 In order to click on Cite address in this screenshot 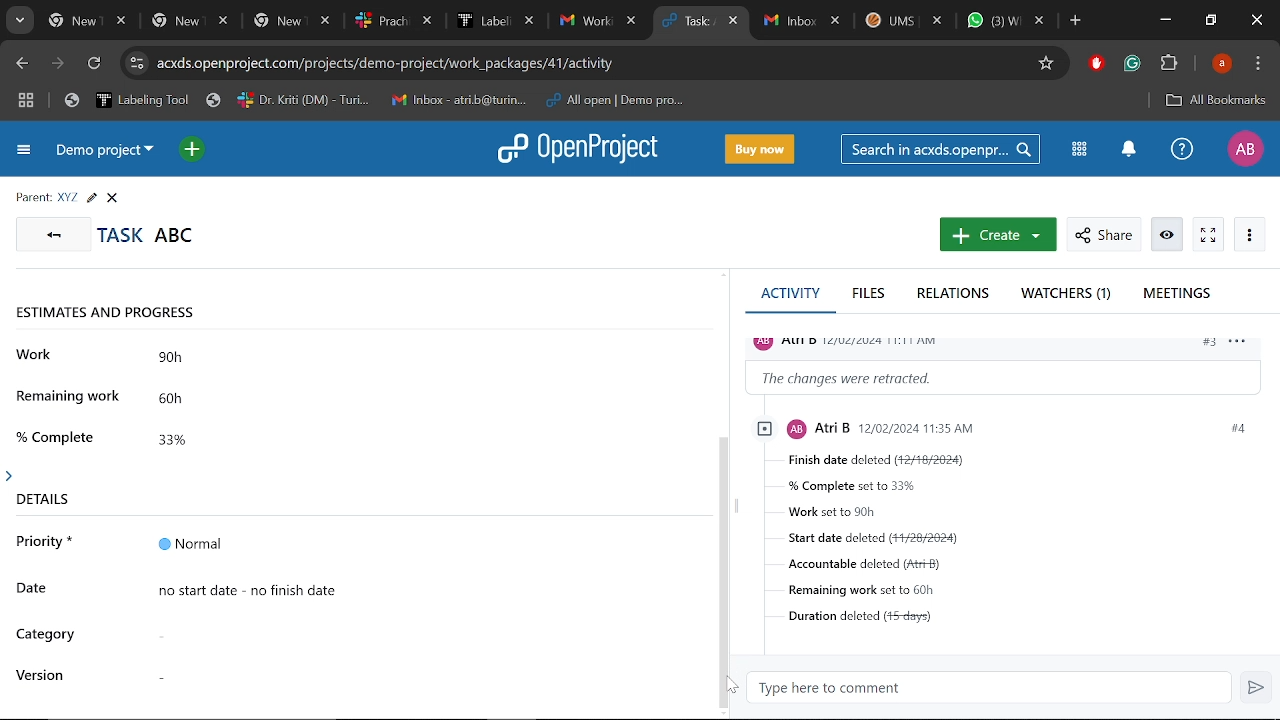, I will do `click(398, 64)`.